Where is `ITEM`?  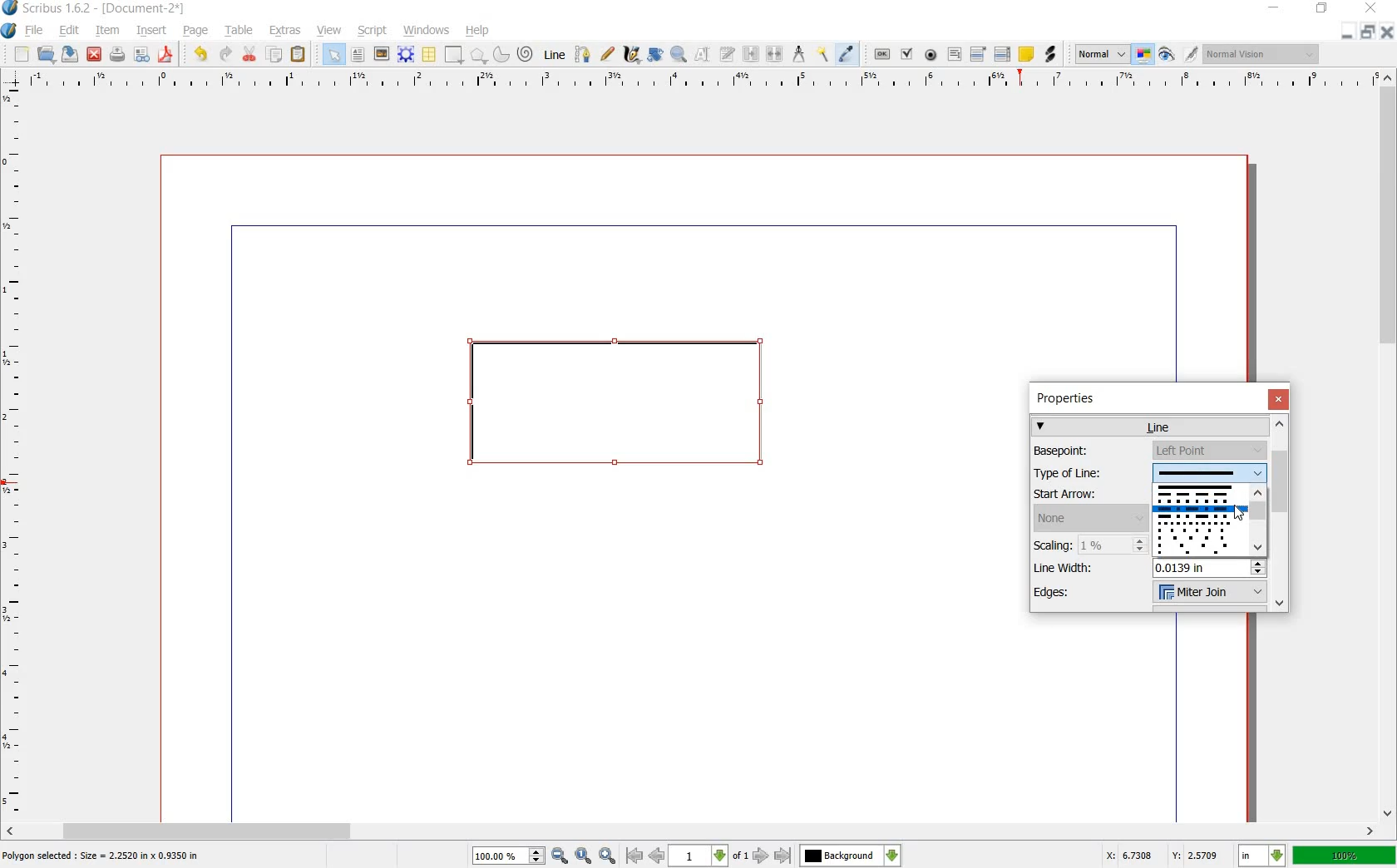
ITEM is located at coordinates (106, 31).